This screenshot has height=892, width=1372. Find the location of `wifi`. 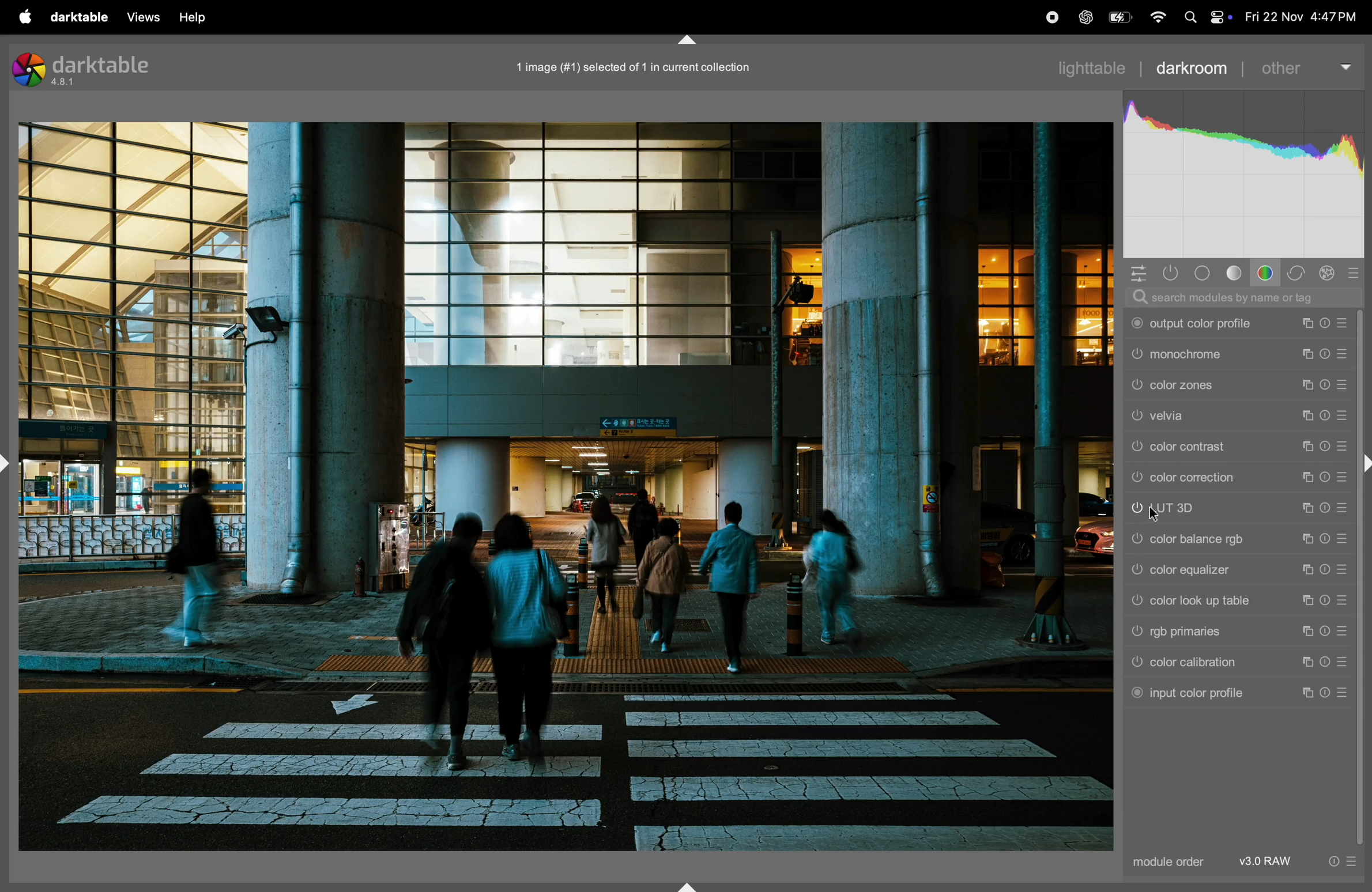

wifi is located at coordinates (1155, 18).